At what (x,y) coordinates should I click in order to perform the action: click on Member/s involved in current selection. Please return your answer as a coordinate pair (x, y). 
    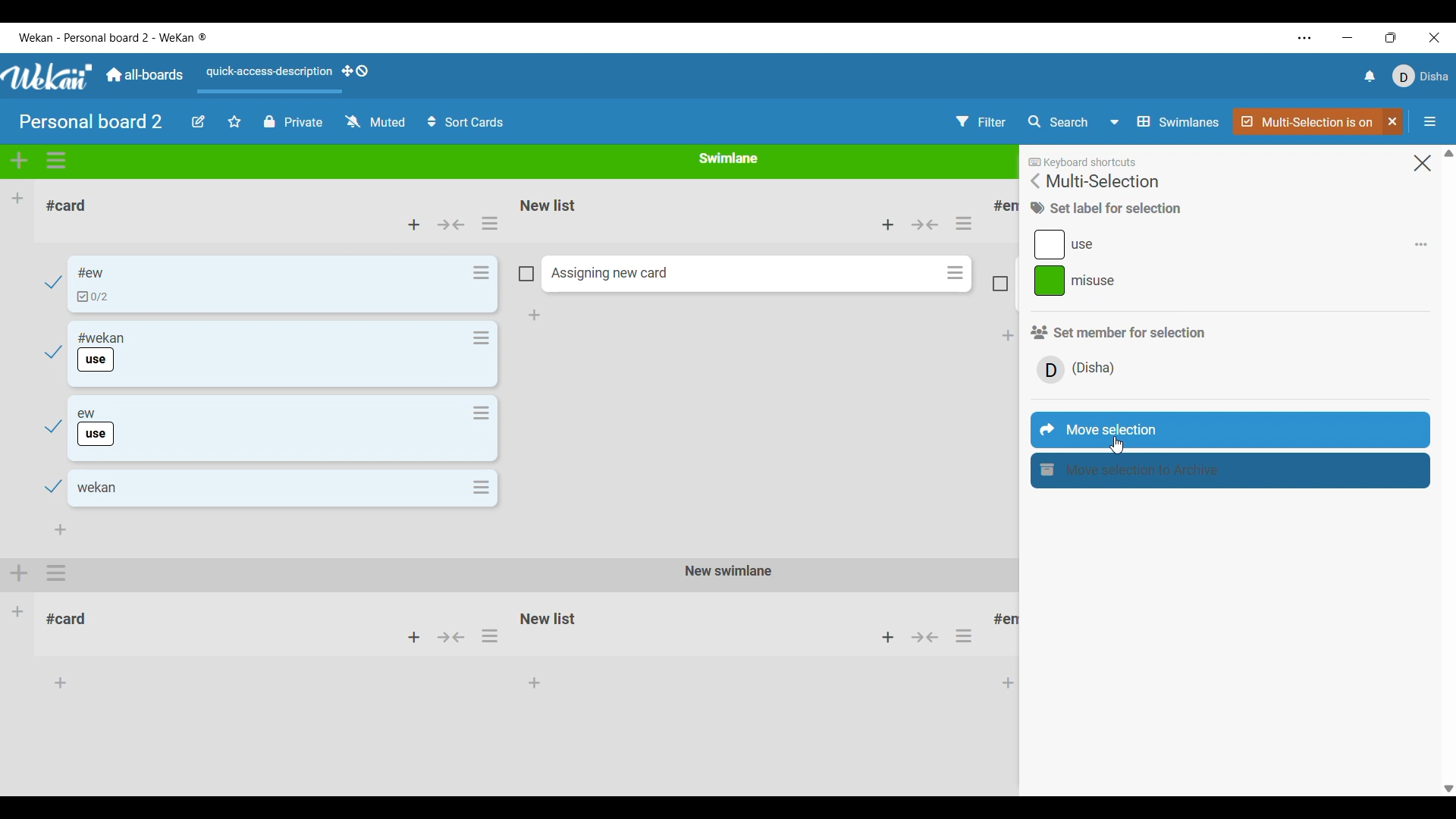
    Looking at the image, I should click on (1083, 369).